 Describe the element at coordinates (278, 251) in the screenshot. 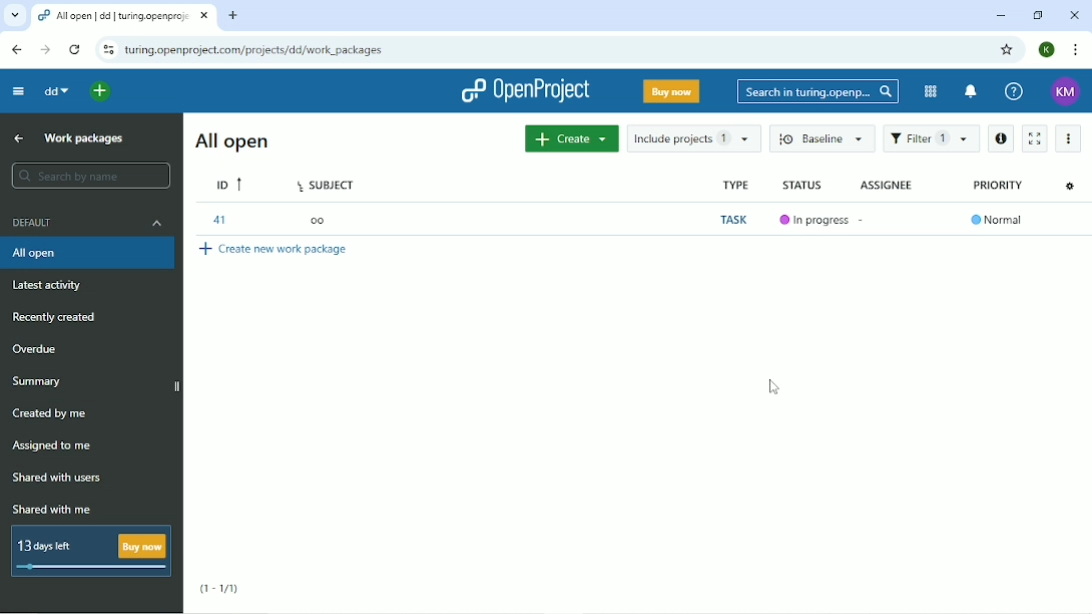

I see `Create new work package` at that location.